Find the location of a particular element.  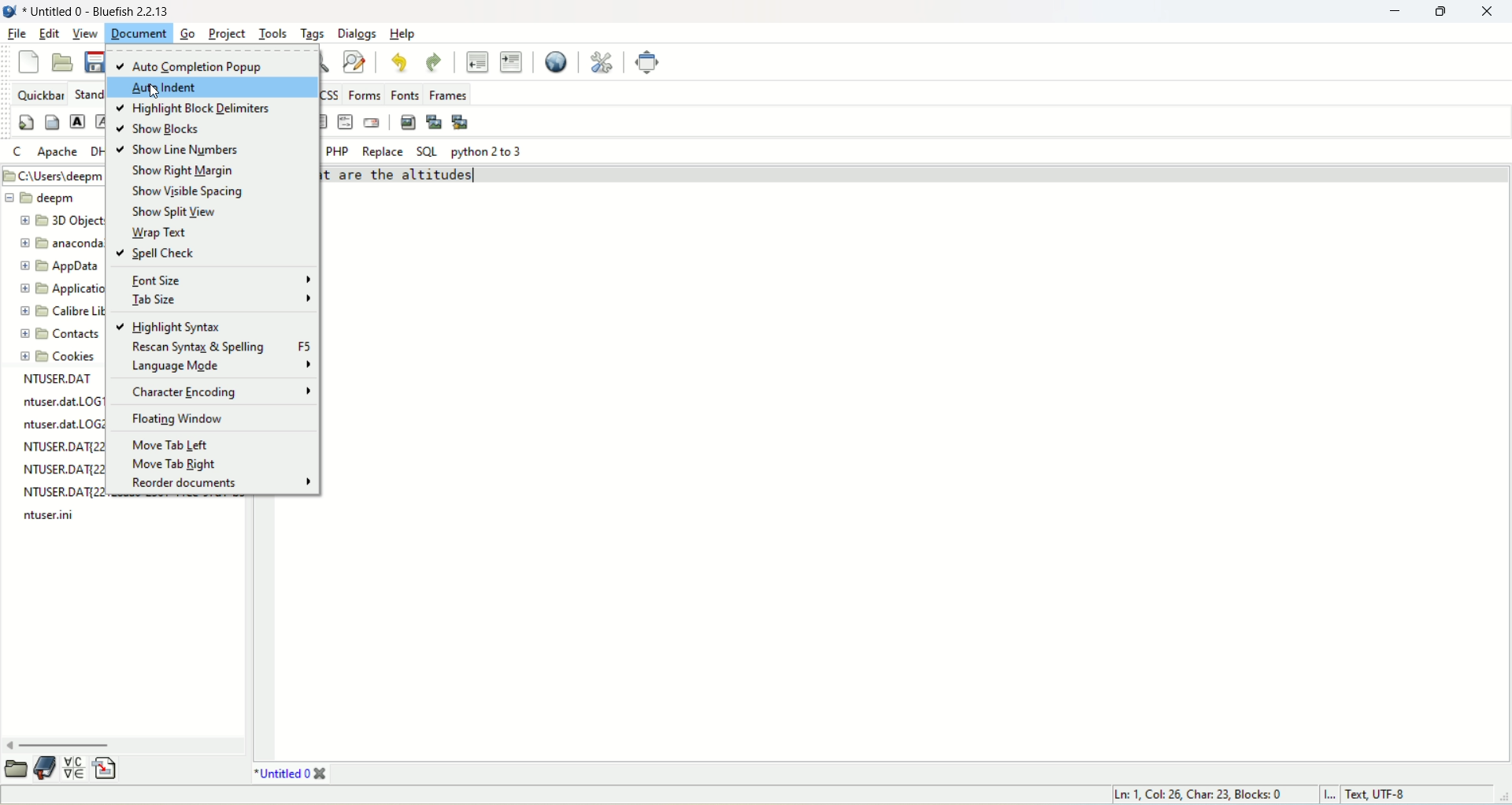

tab size is located at coordinates (223, 299).